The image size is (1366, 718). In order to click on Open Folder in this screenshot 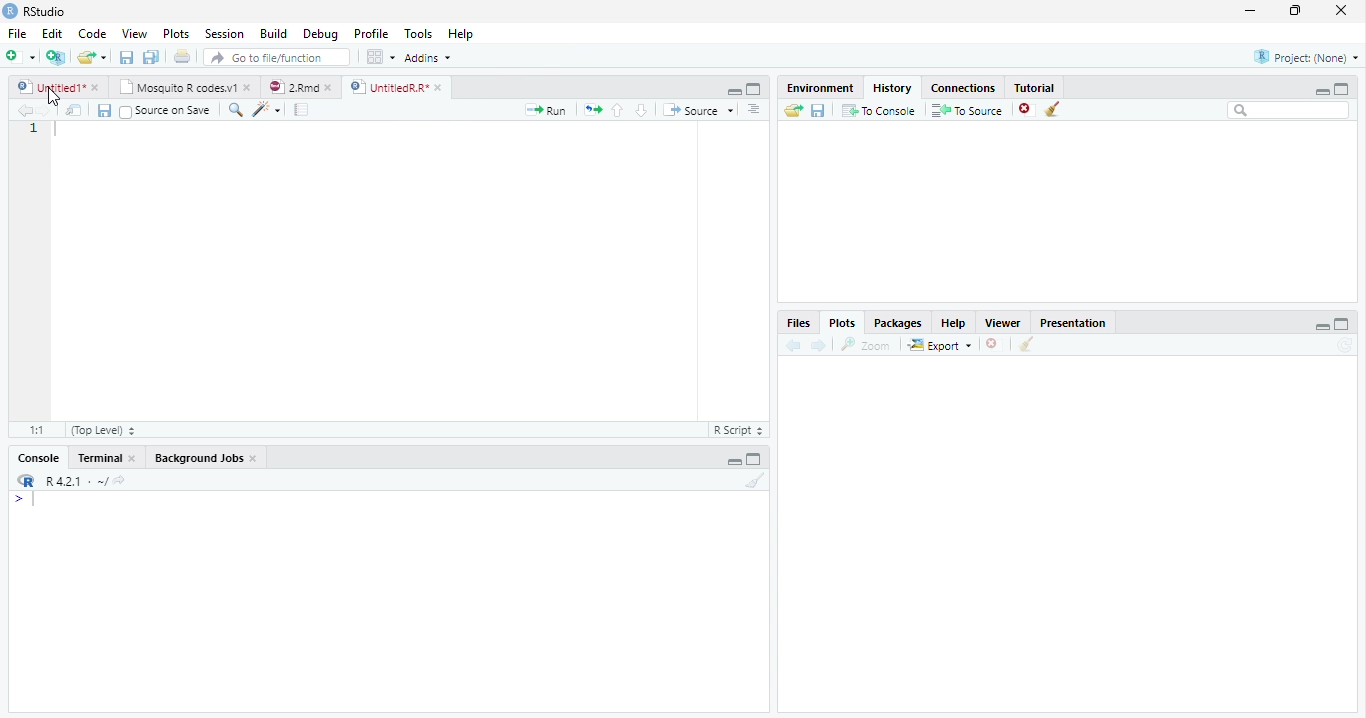, I will do `click(793, 111)`.